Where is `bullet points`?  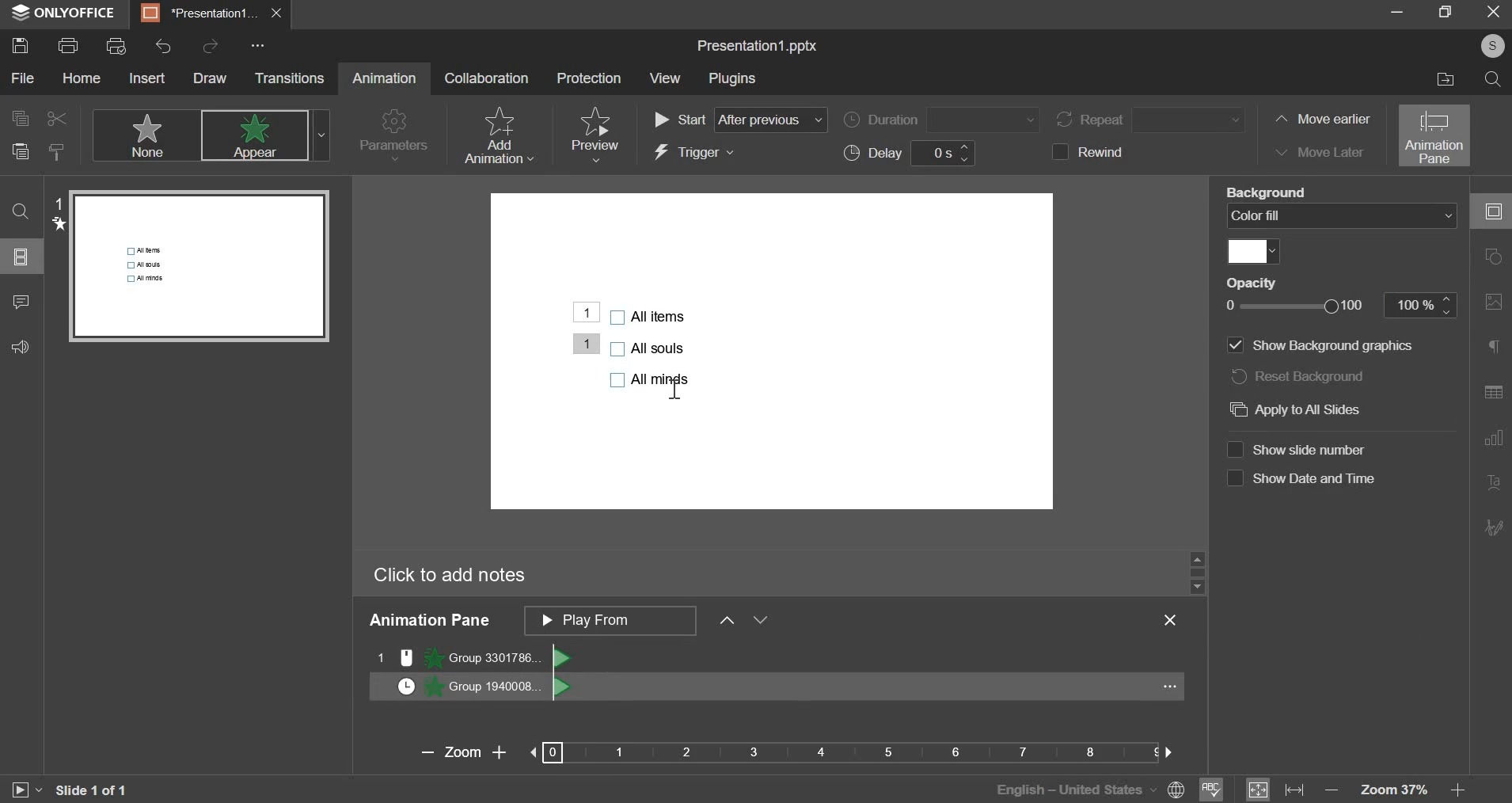
bullet points is located at coordinates (646, 349).